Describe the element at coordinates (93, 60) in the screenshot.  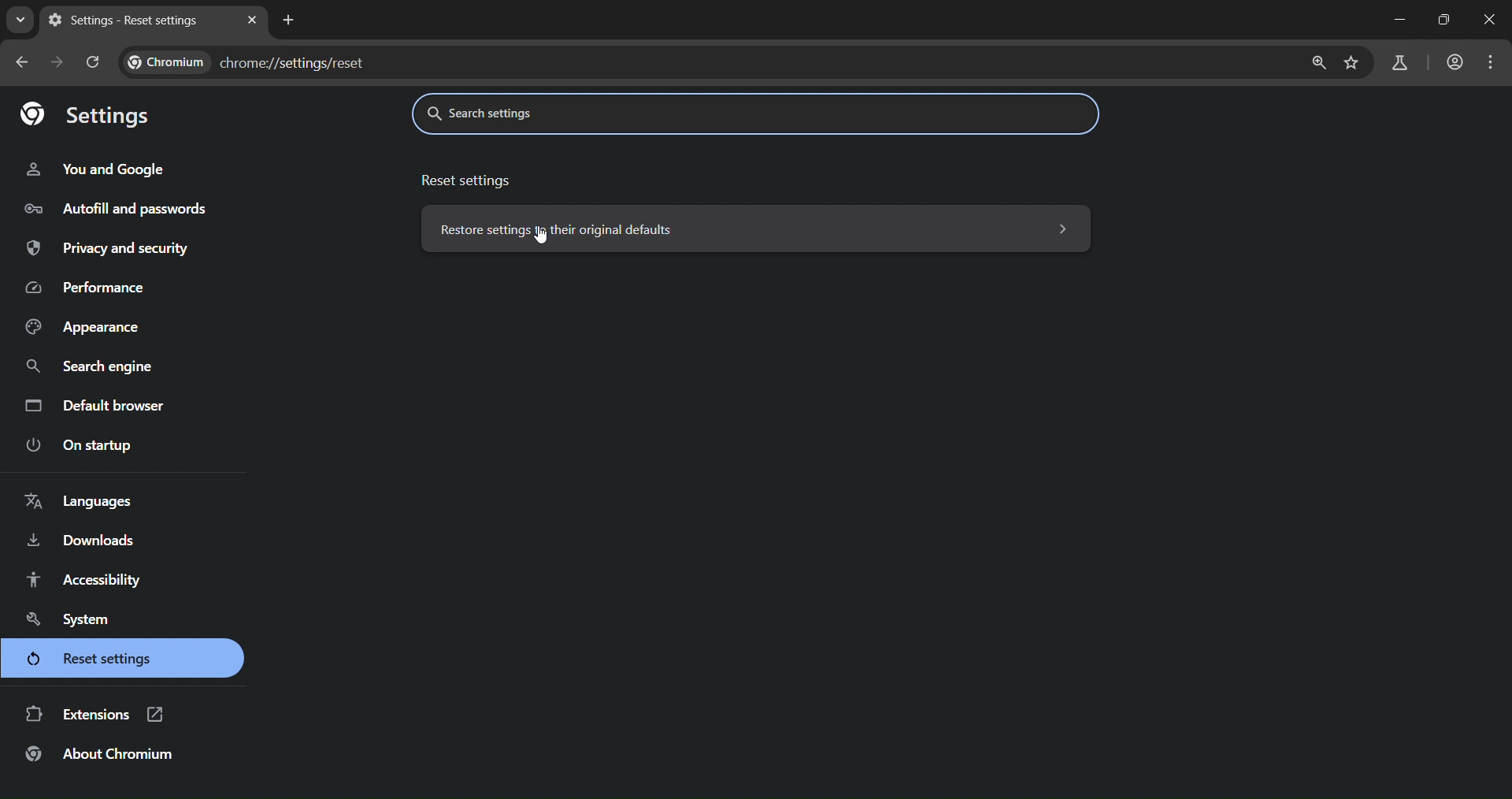
I see `reload page` at that location.